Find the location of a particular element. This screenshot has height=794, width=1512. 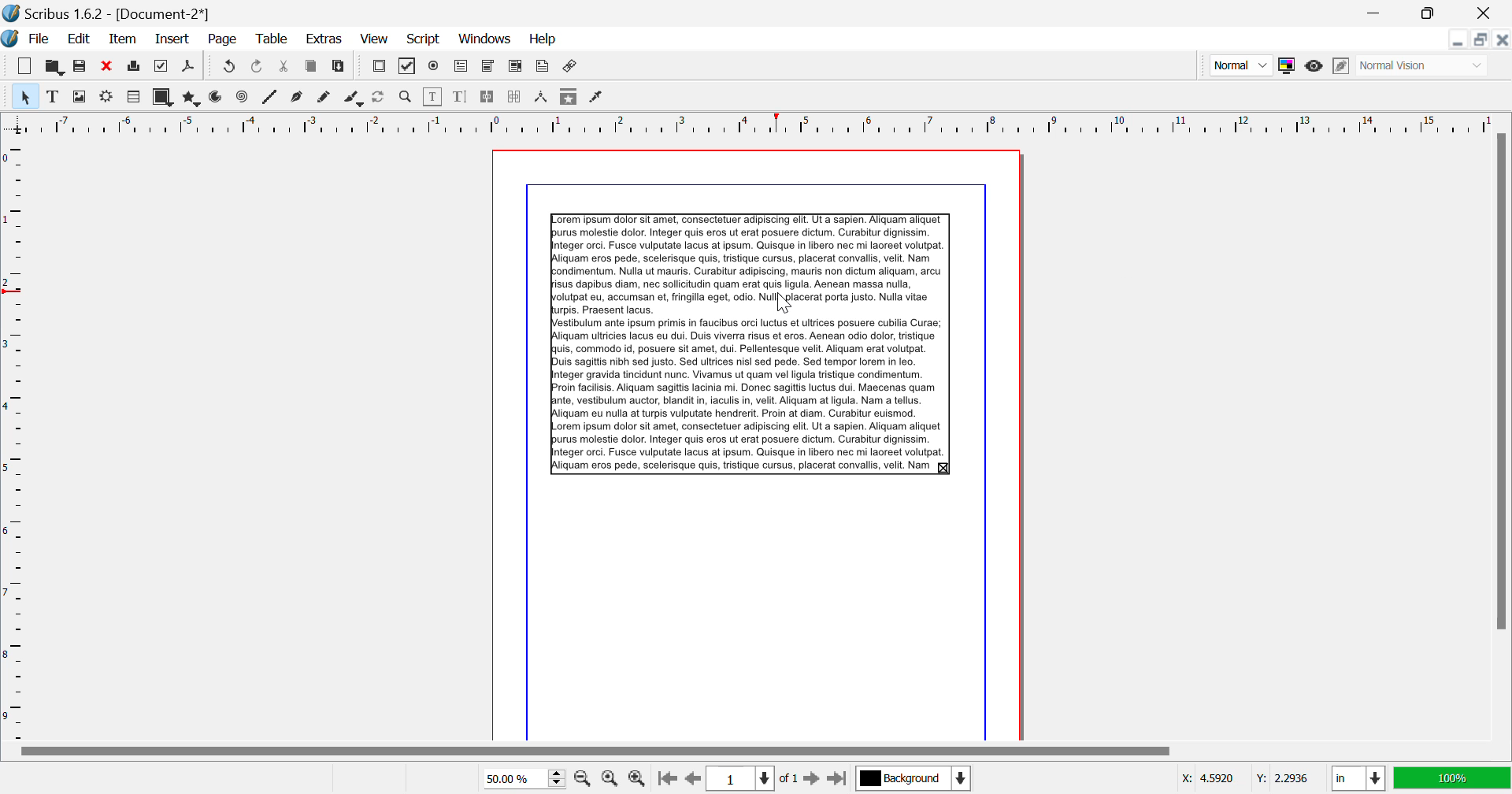

Link Annotation is located at coordinates (572, 68).